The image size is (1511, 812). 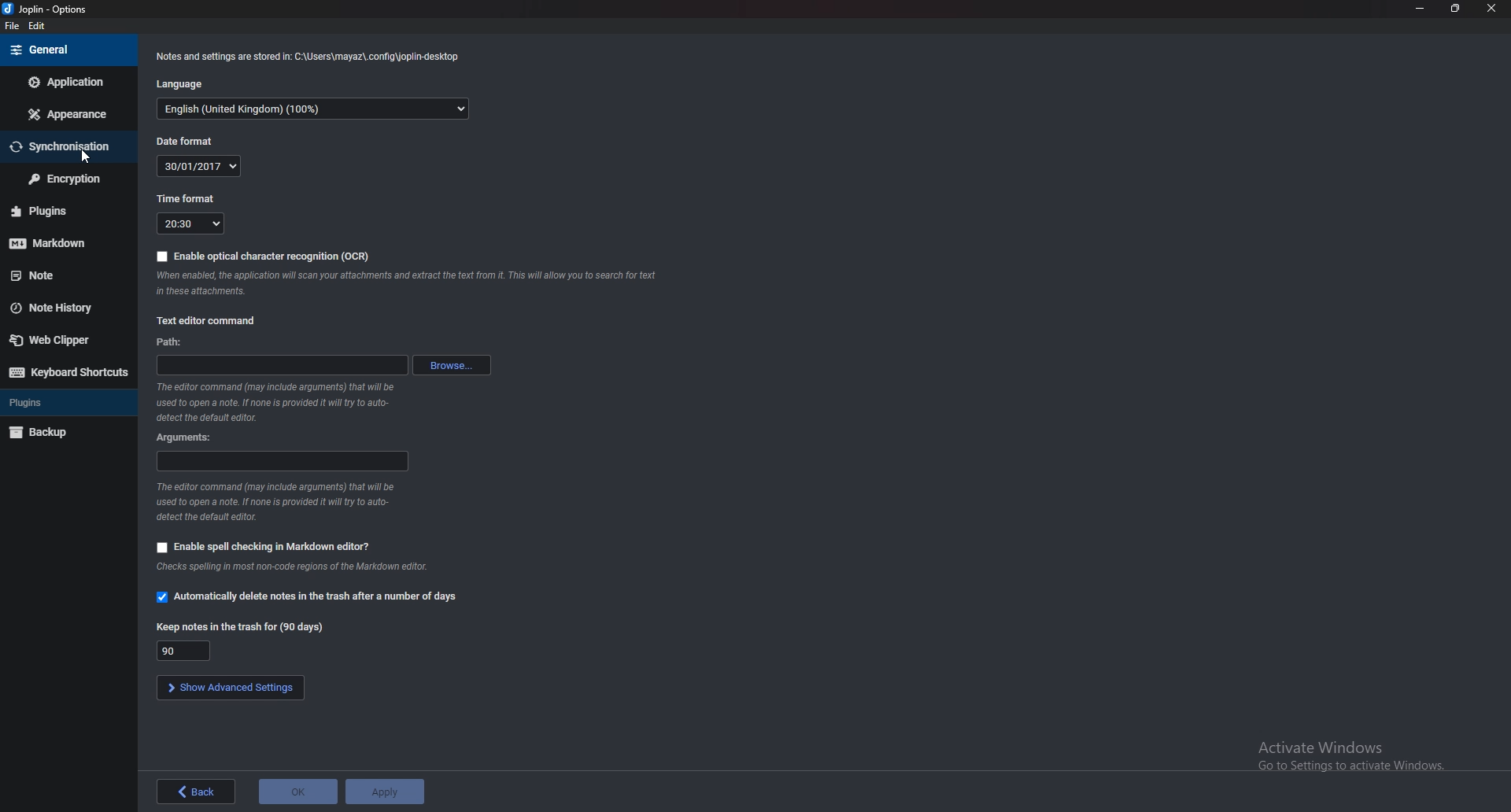 What do you see at coordinates (229, 688) in the screenshot?
I see `show advanced settings` at bounding box center [229, 688].